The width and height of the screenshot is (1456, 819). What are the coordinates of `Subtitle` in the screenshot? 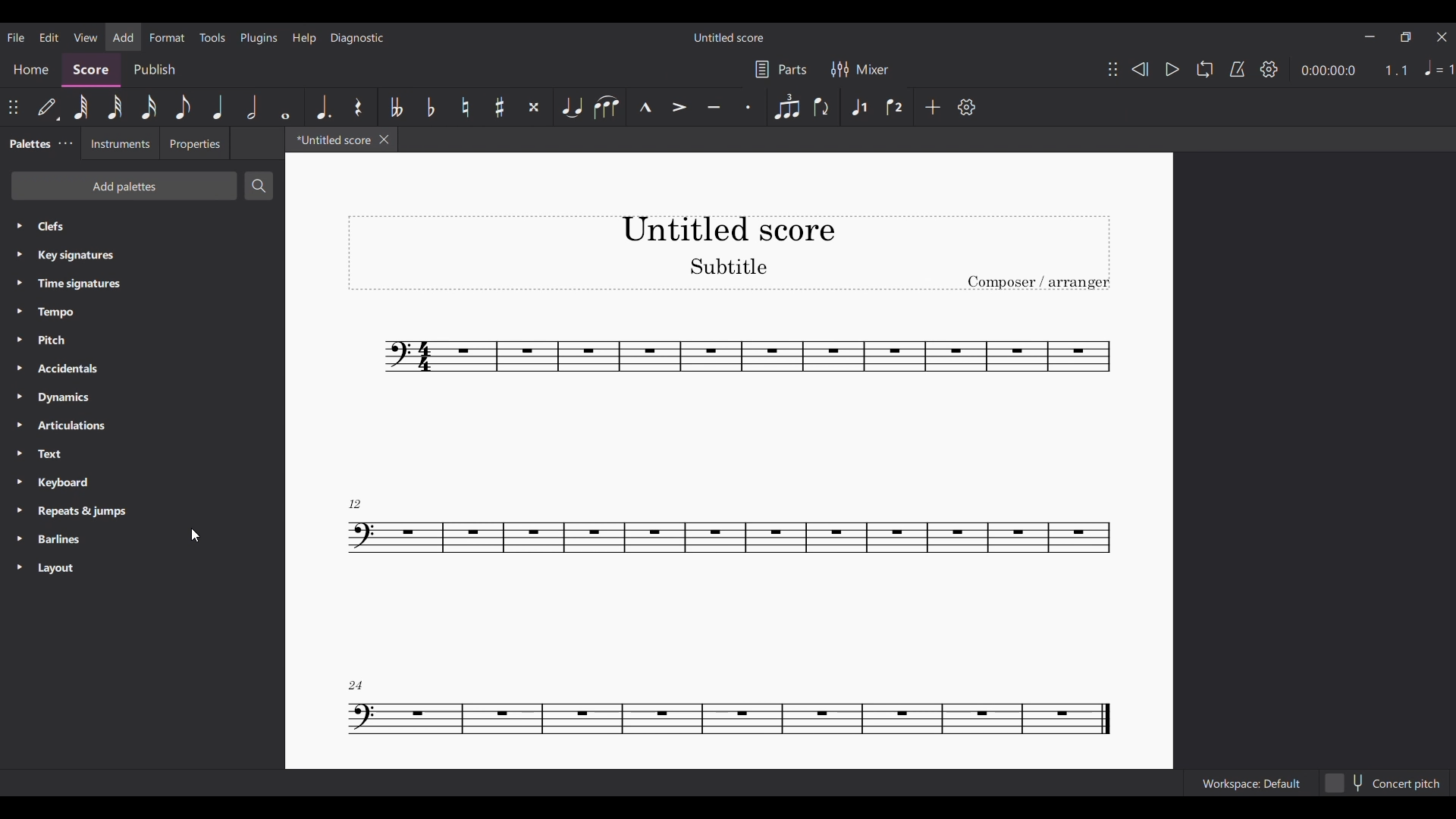 It's located at (730, 265).